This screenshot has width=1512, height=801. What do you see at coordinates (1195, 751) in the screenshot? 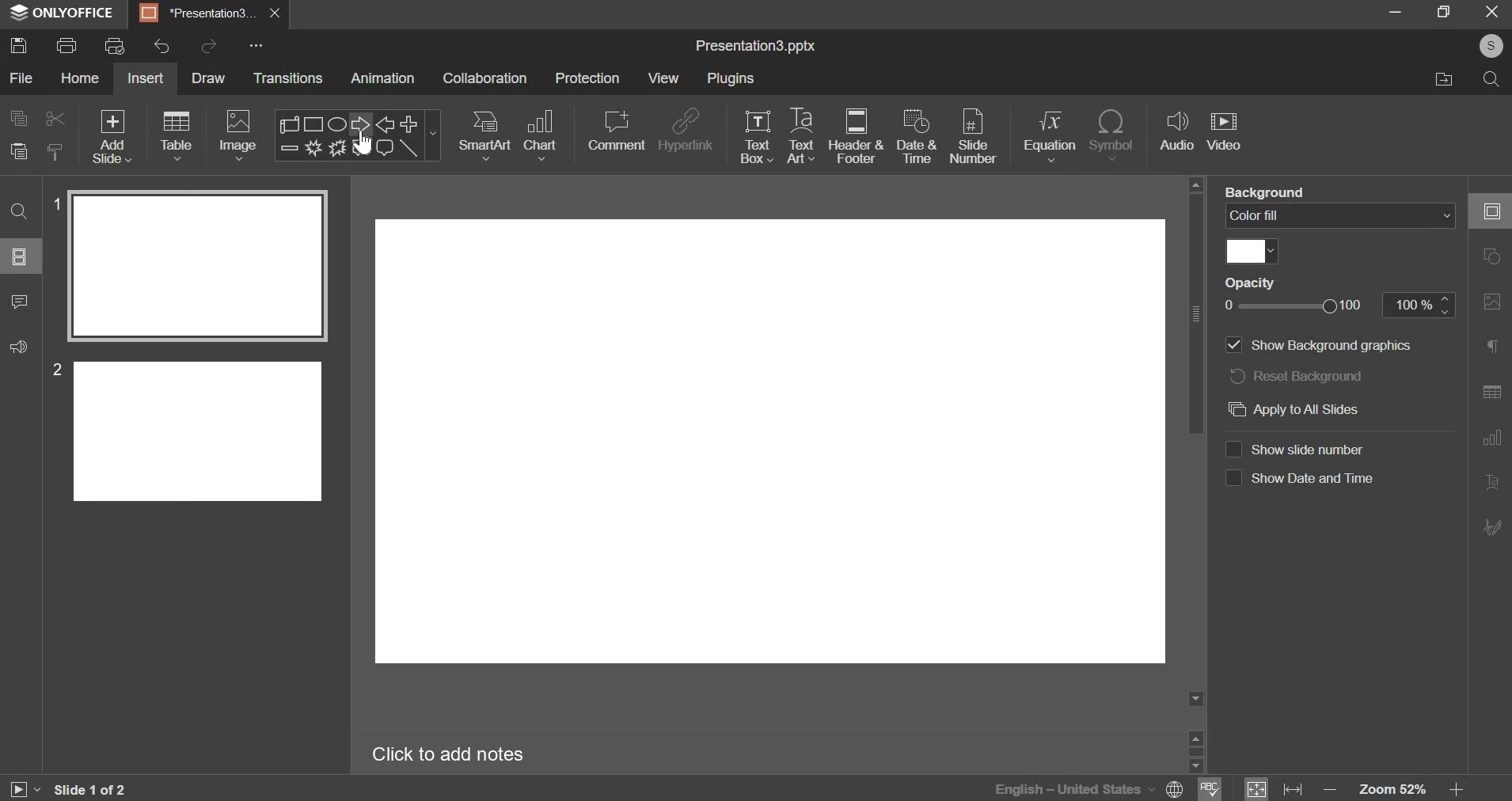
I see `scrollbar` at bounding box center [1195, 751].